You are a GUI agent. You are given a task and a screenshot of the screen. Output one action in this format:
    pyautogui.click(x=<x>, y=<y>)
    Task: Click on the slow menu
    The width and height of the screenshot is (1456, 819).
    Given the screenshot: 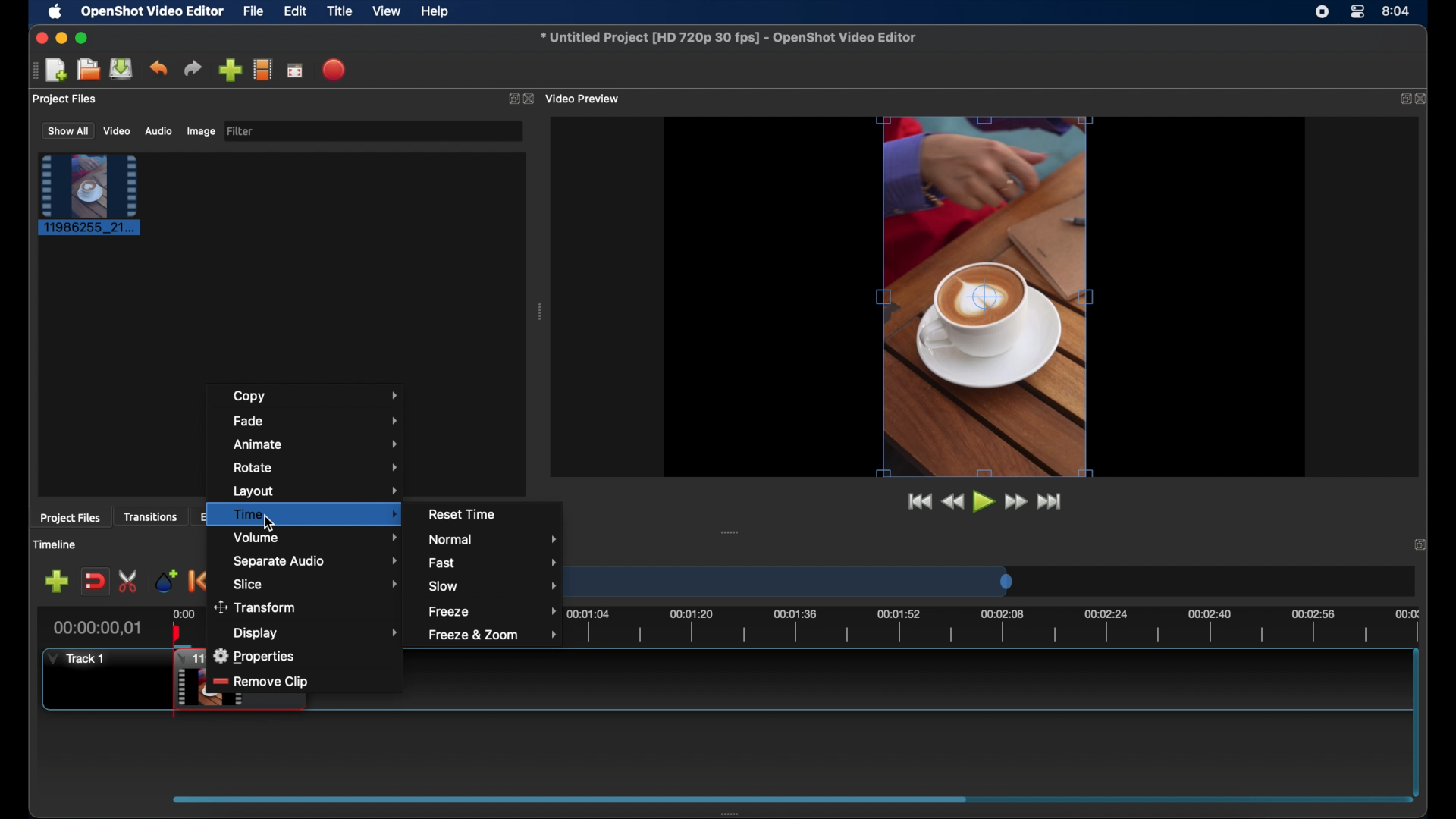 What is the action you would take?
    pyautogui.click(x=493, y=585)
    